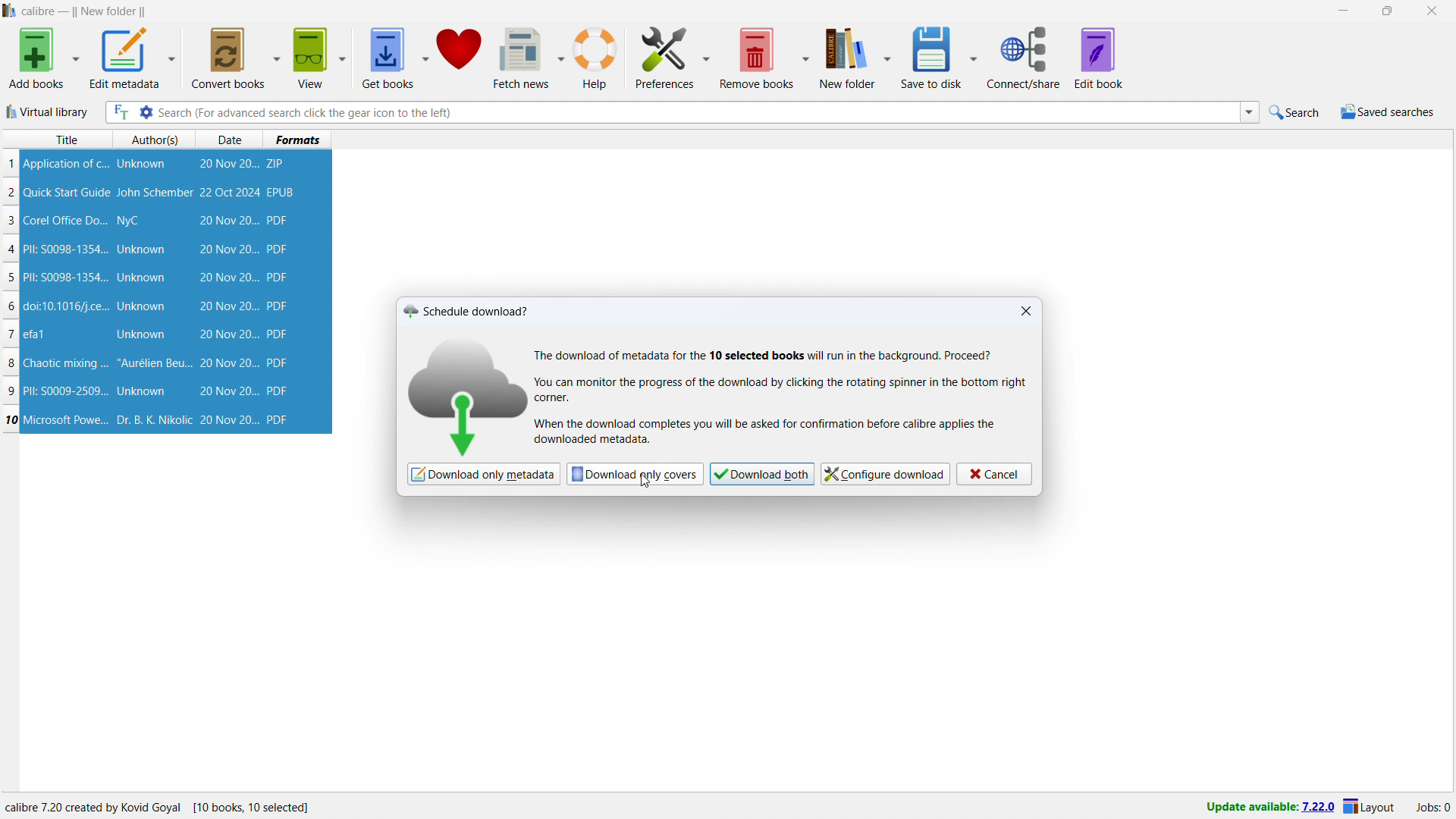 This screenshot has width=1456, height=819. Describe the element at coordinates (848, 56) in the screenshot. I see `new folder ` at that location.